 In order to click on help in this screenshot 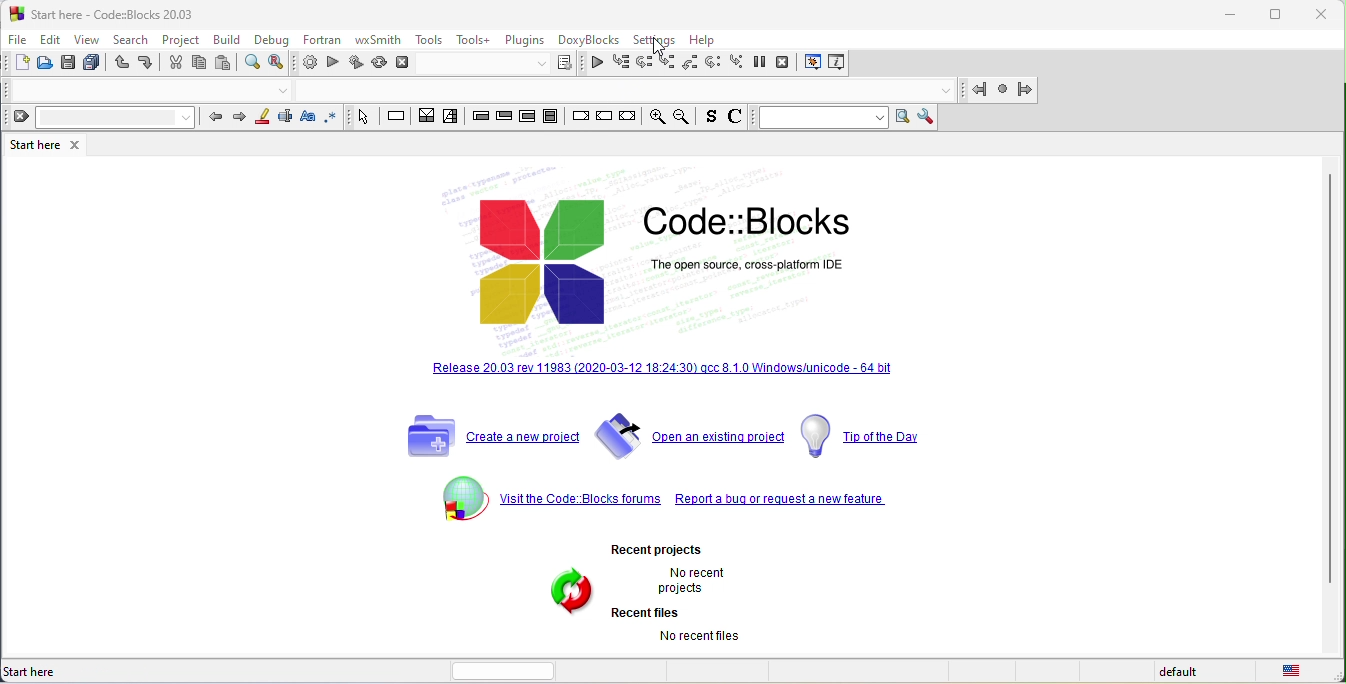, I will do `click(705, 42)`.